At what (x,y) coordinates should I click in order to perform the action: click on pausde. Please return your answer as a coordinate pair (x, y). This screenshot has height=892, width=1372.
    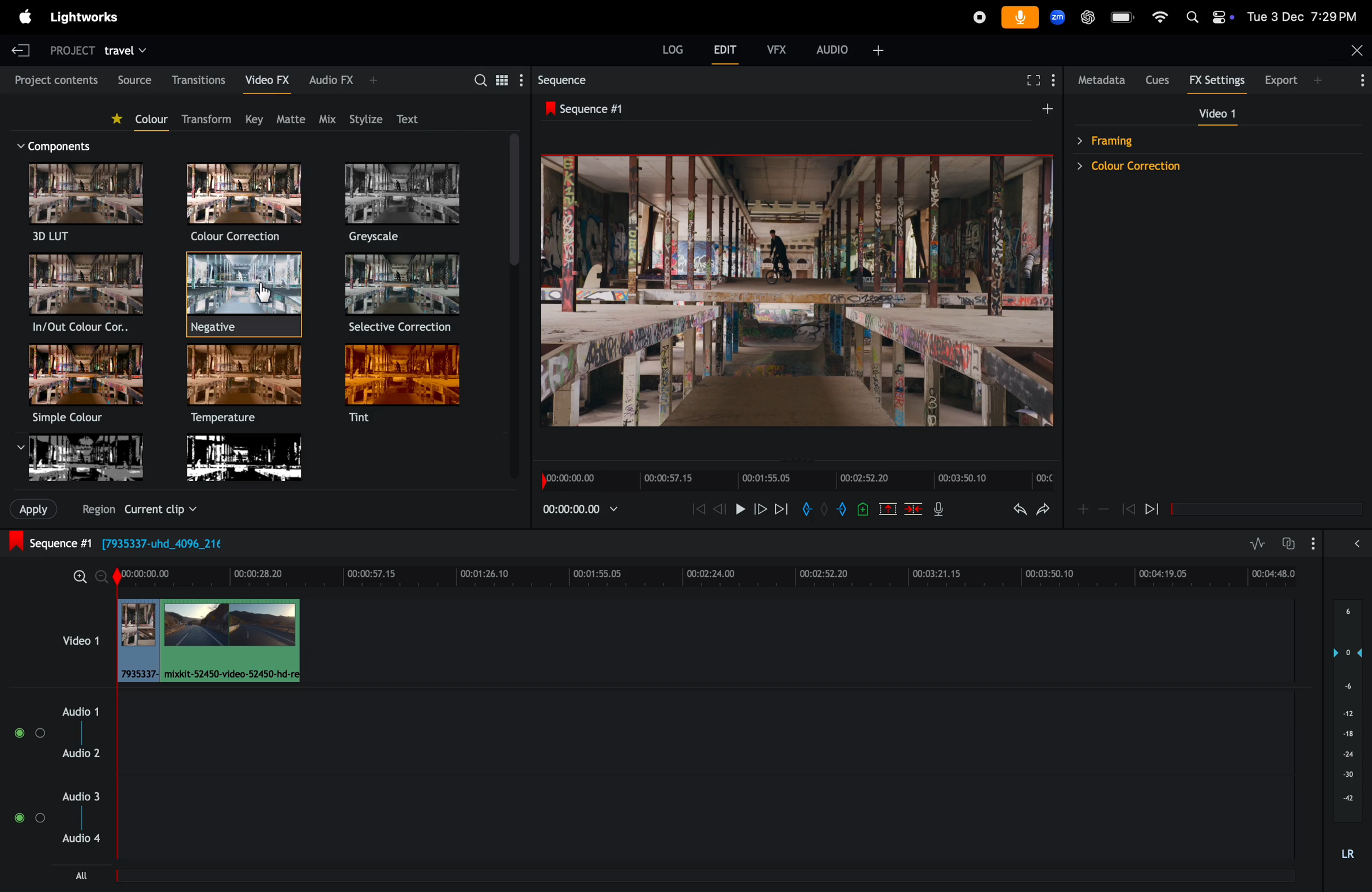
    Looking at the image, I should click on (1159, 511).